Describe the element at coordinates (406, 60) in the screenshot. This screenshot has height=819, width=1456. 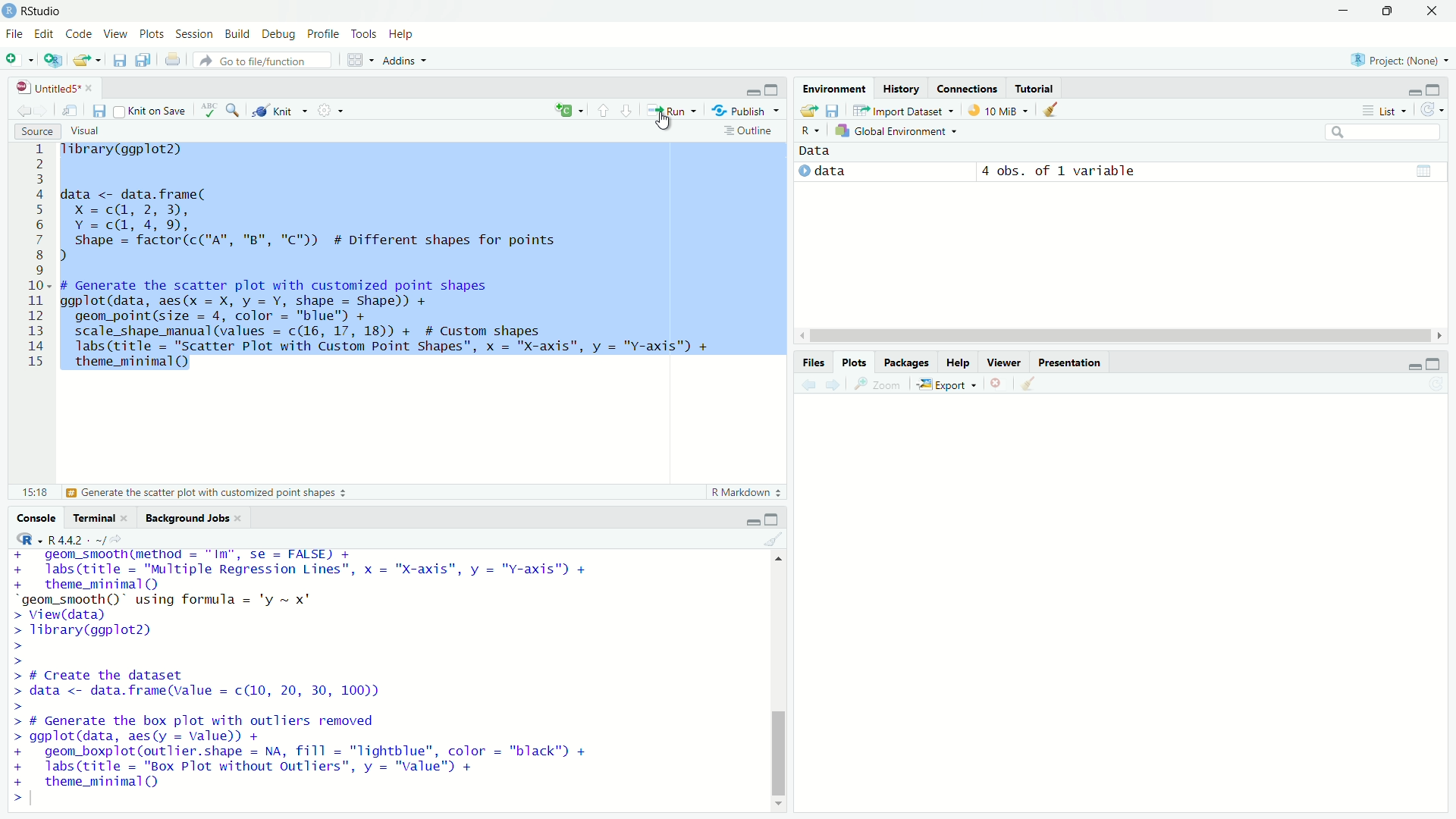
I see `Addins` at that location.